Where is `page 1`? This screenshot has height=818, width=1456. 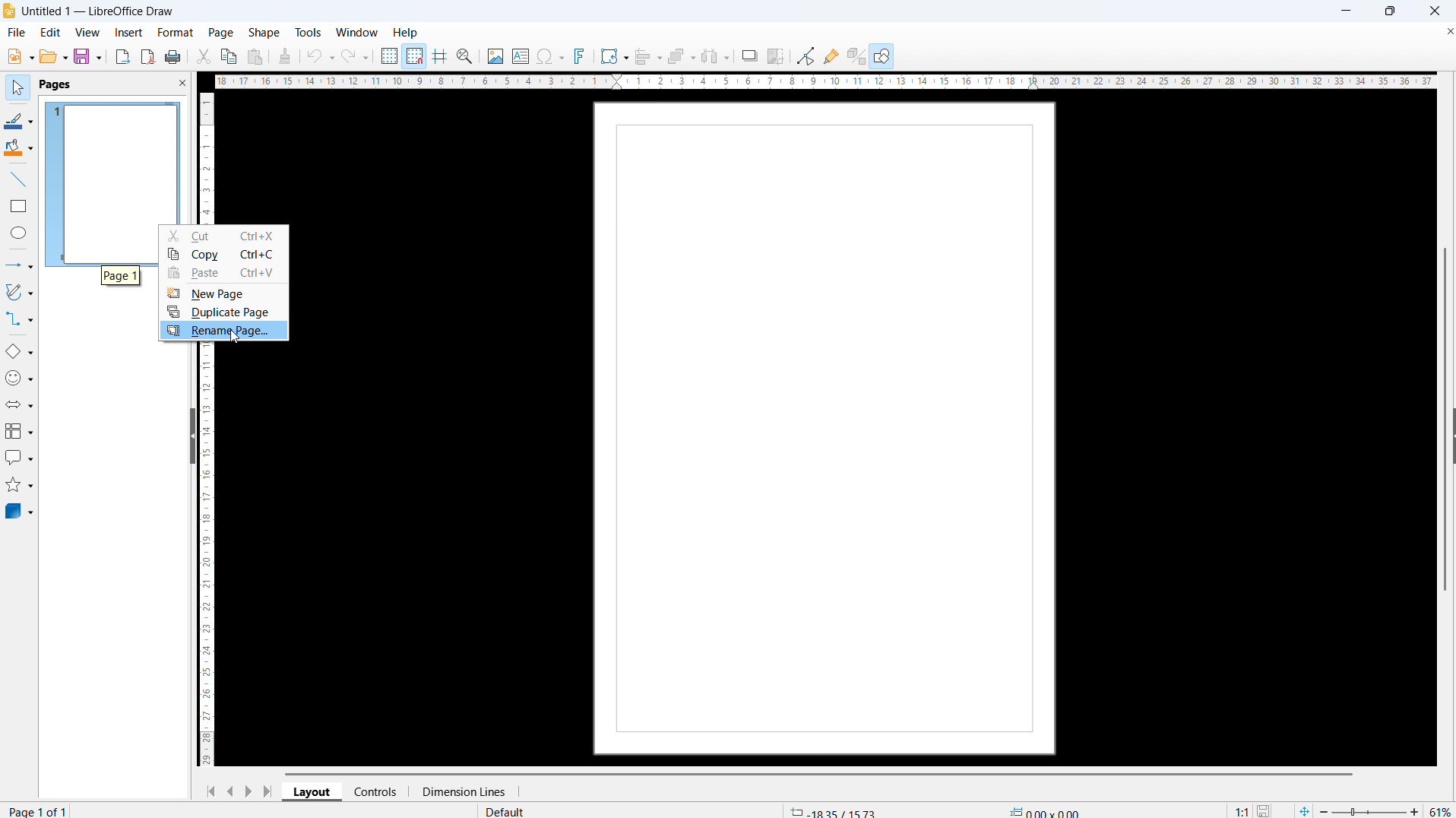 page 1 is located at coordinates (120, 275).